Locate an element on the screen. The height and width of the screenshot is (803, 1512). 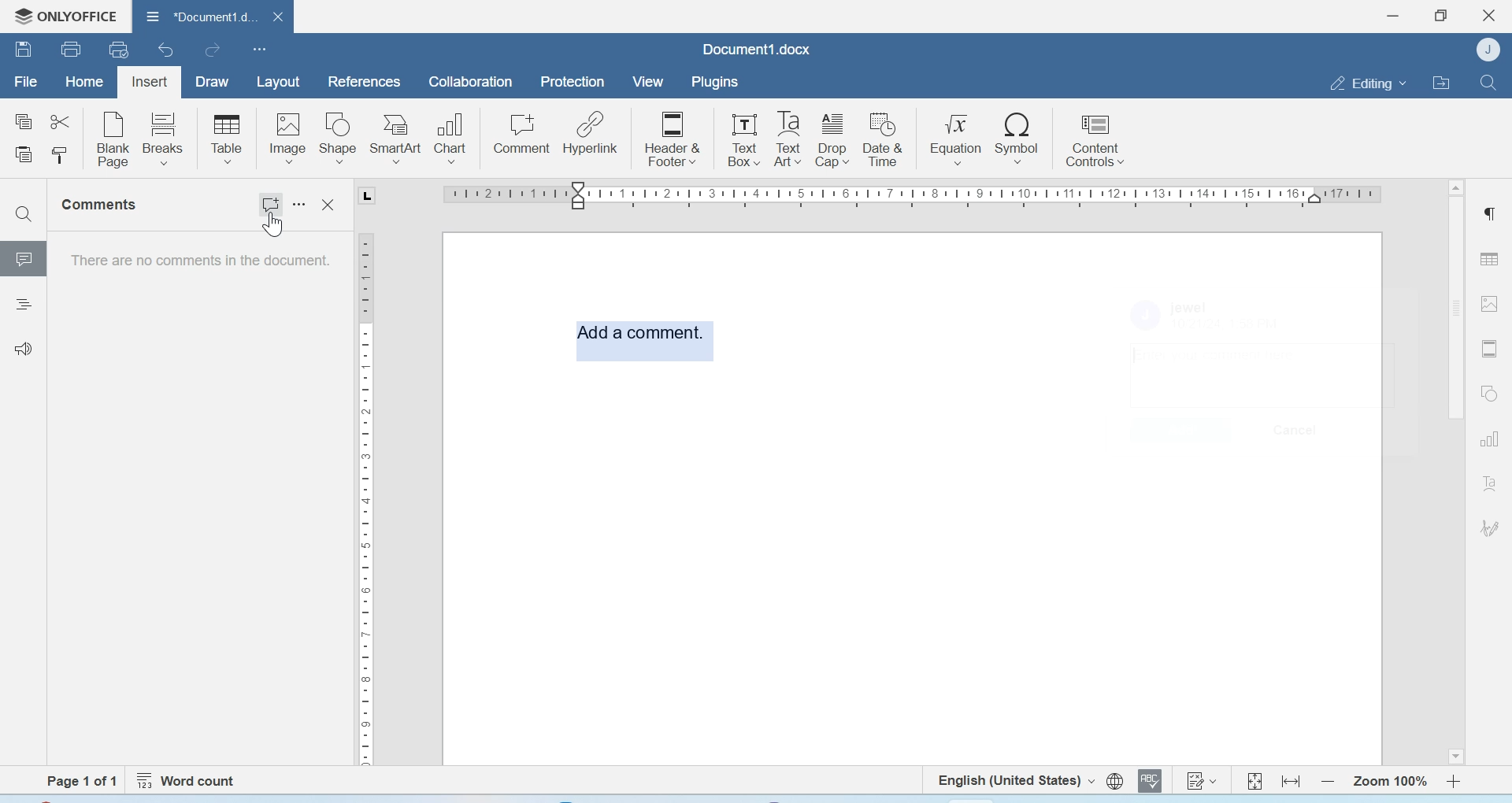
page is located at coordinates (86, 781).